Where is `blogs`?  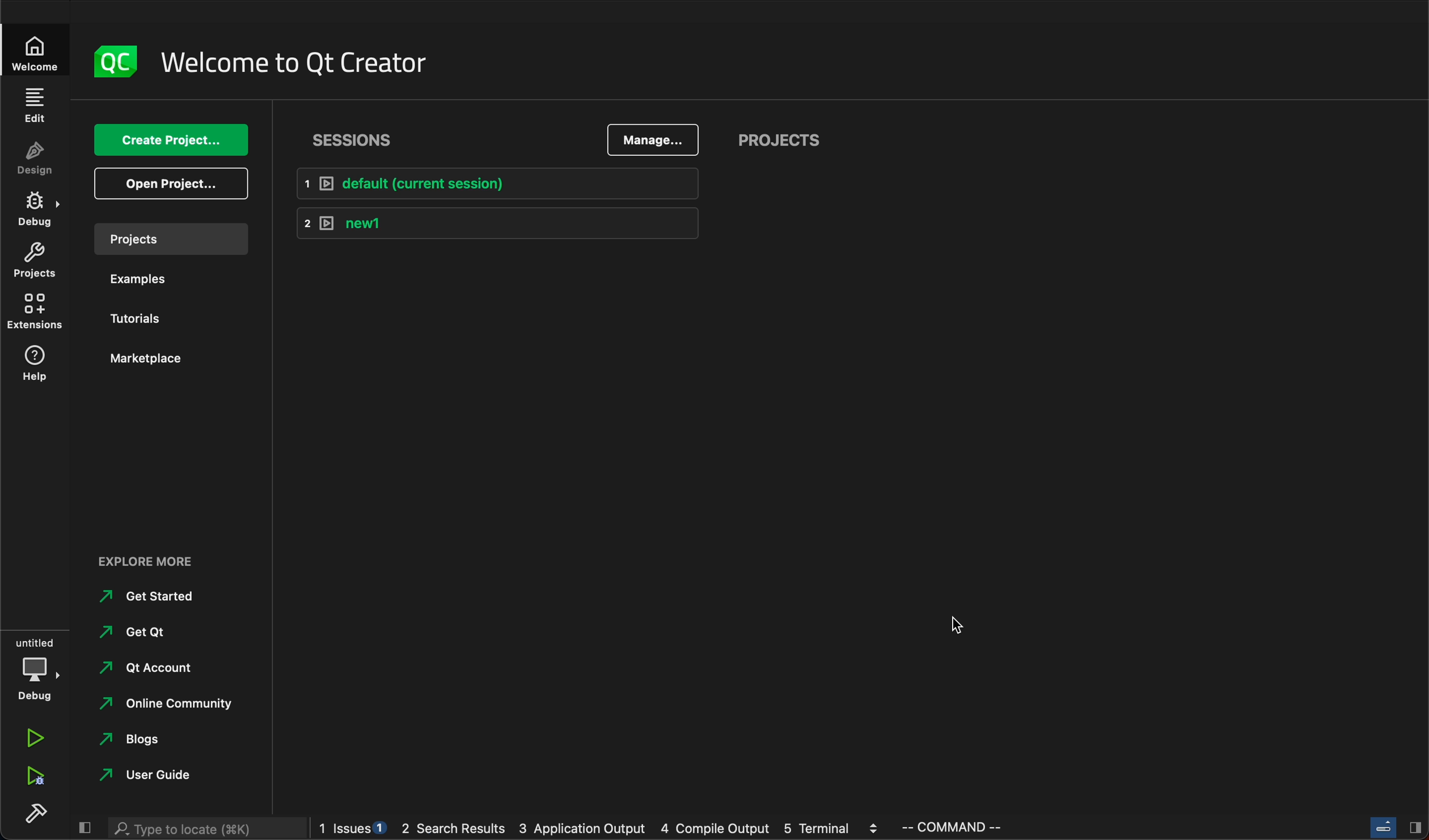
blogs is located at coordinates (151, 741).